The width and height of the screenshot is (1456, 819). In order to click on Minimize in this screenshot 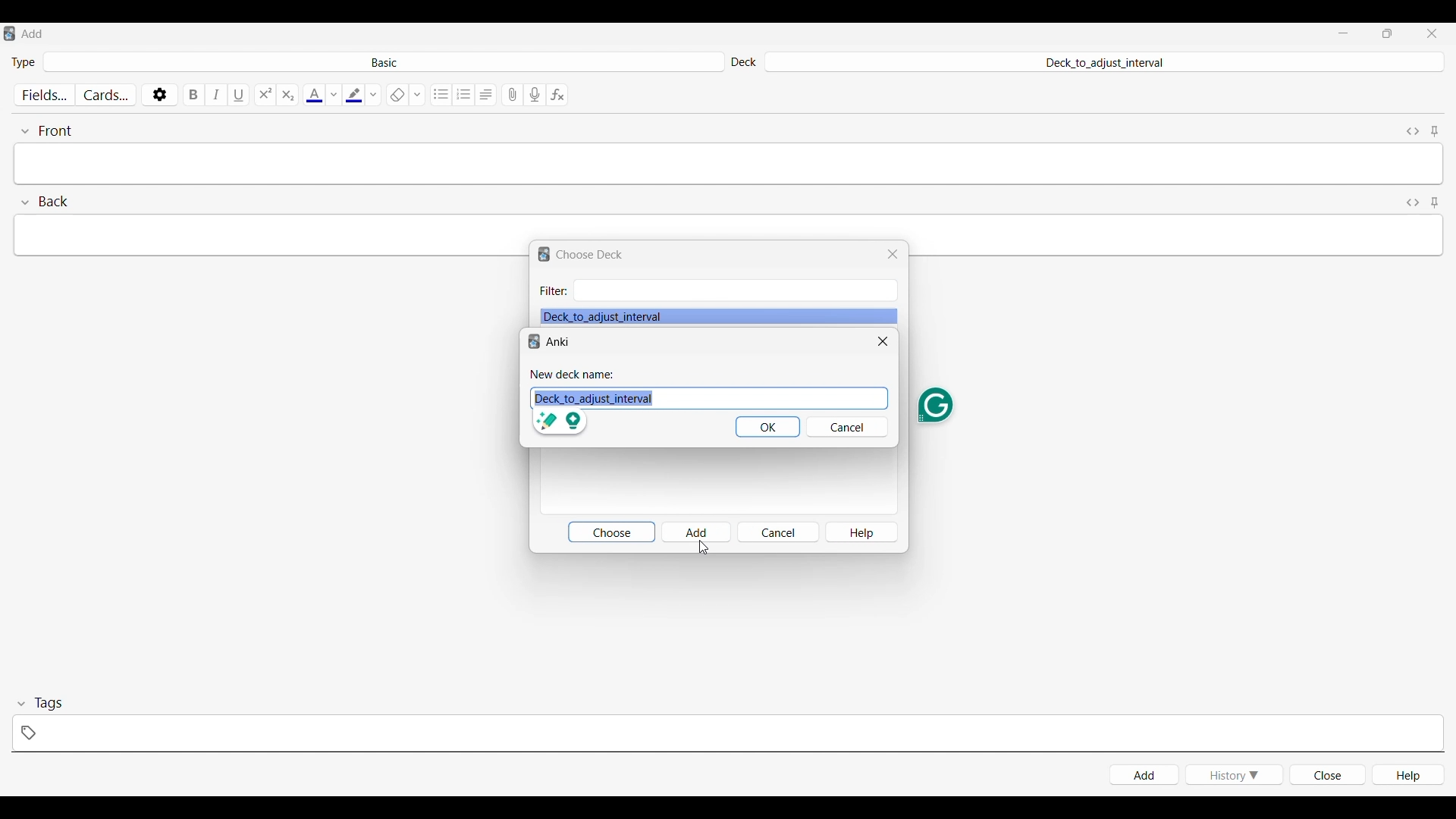, I will do `click(1343, 33)`.